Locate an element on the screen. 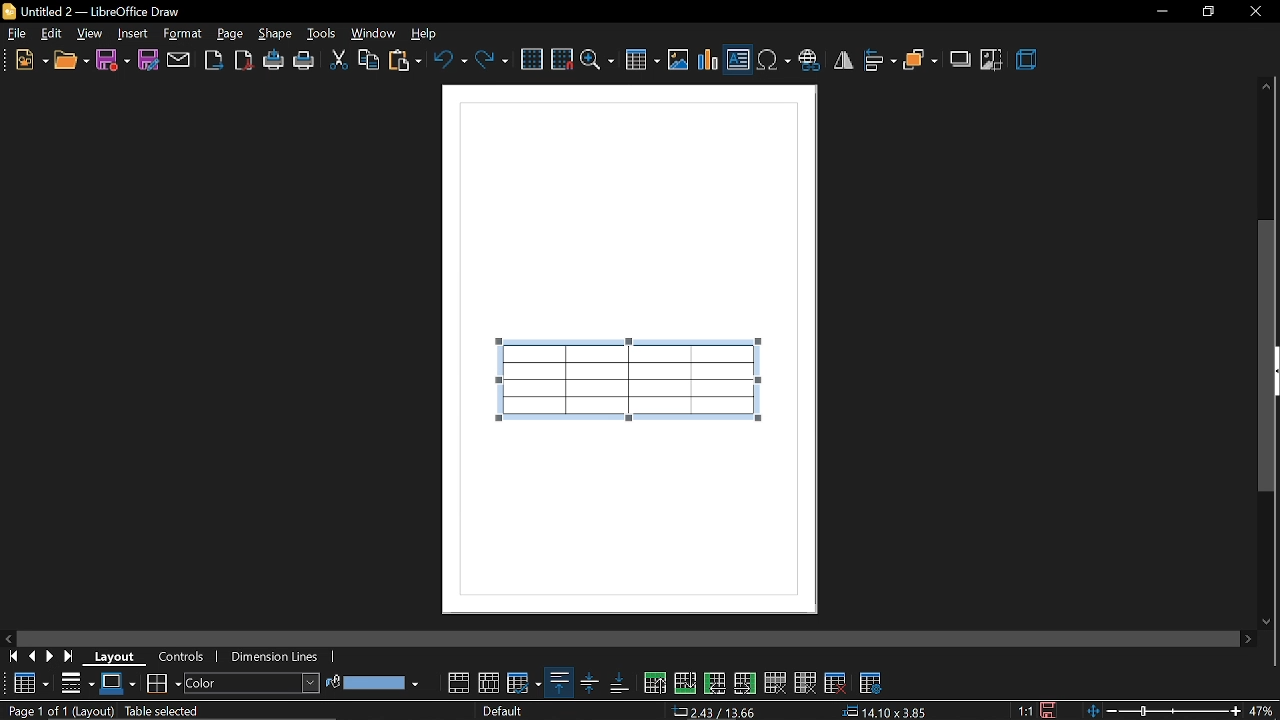 The width and height of the screenshot is (1280, 720). file is located at coordinates (14, 33).